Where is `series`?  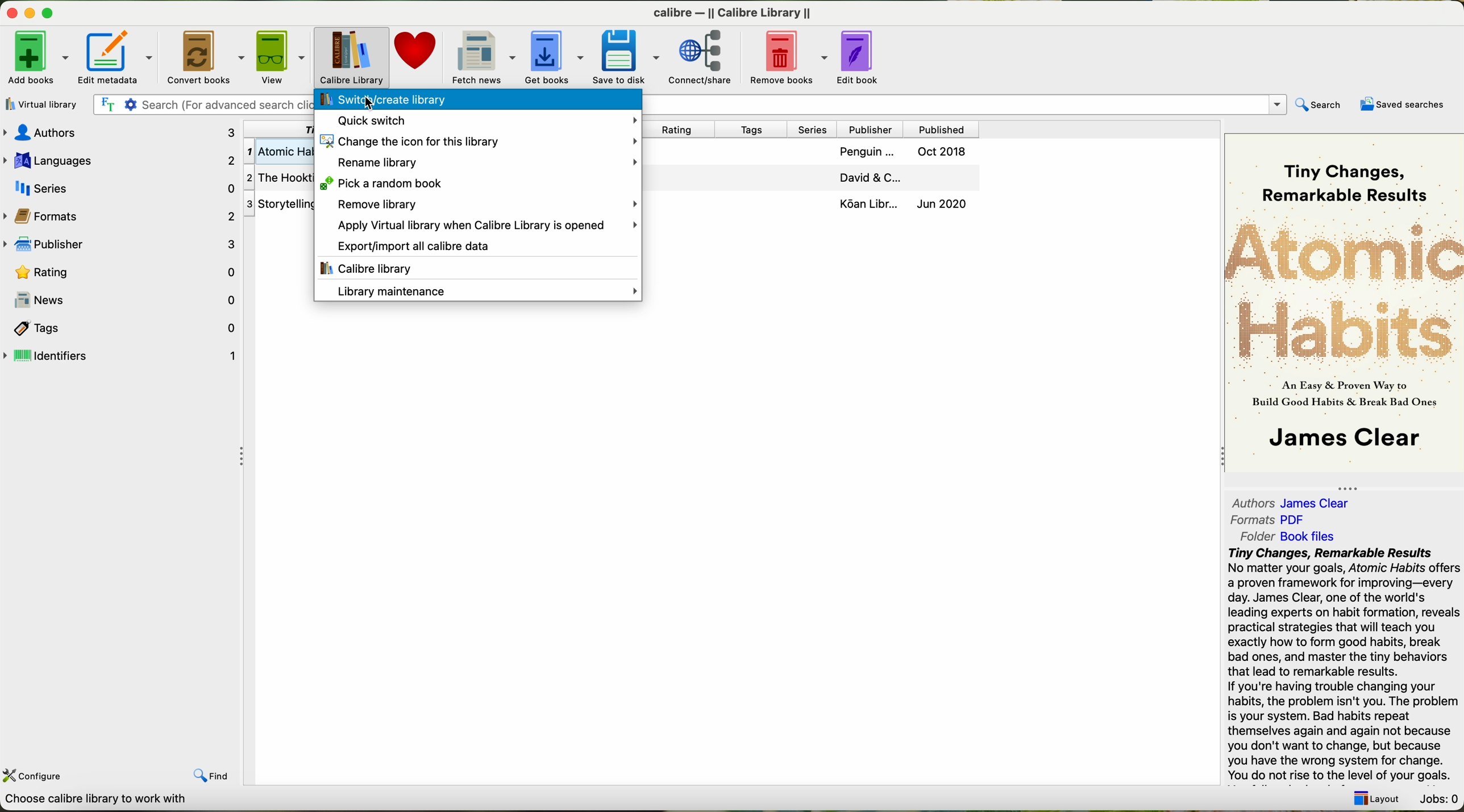
series is located at coordinates (121, 188).